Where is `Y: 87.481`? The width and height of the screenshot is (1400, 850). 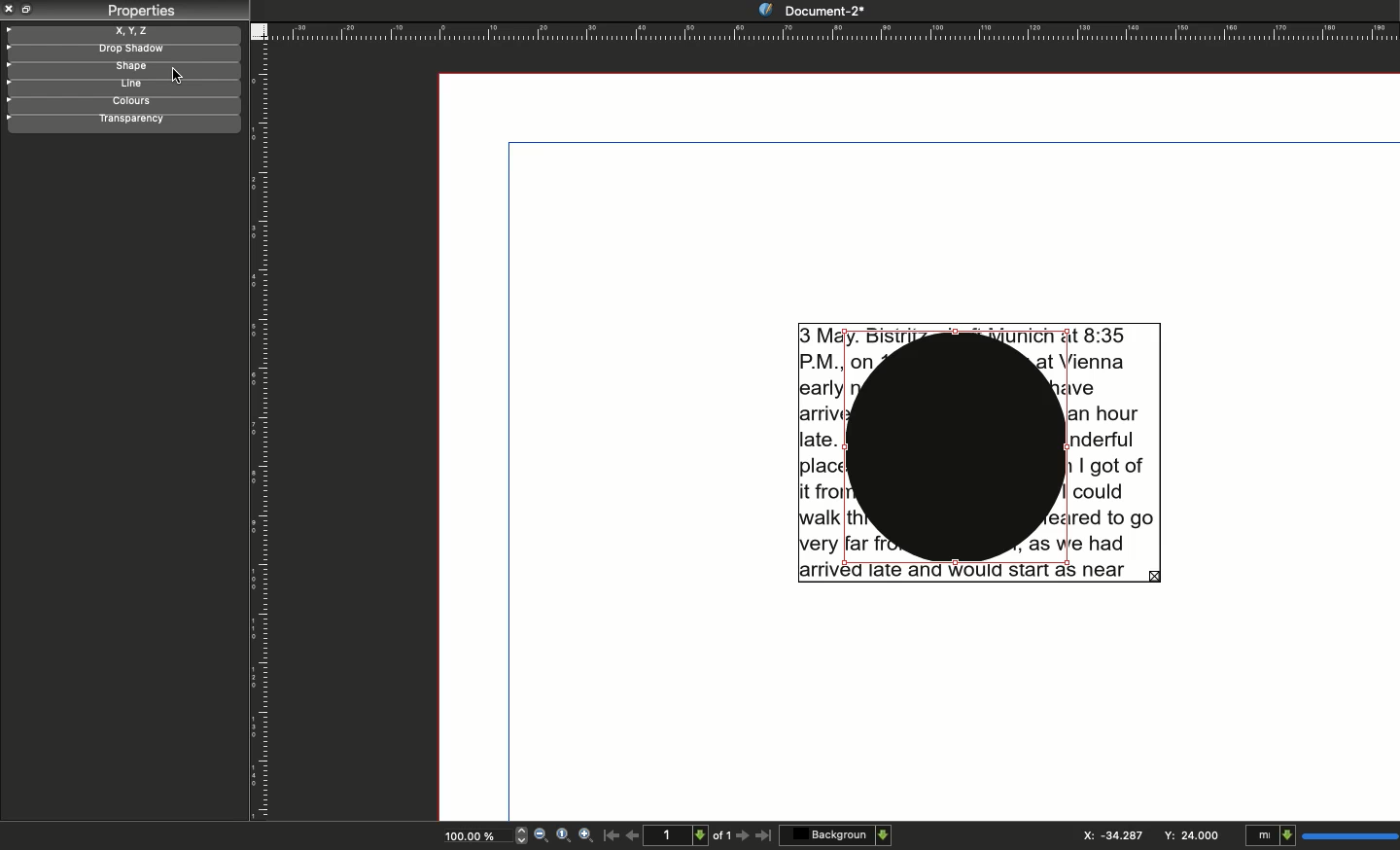 Y: 87.481 is located at coordinates (1189, 835).